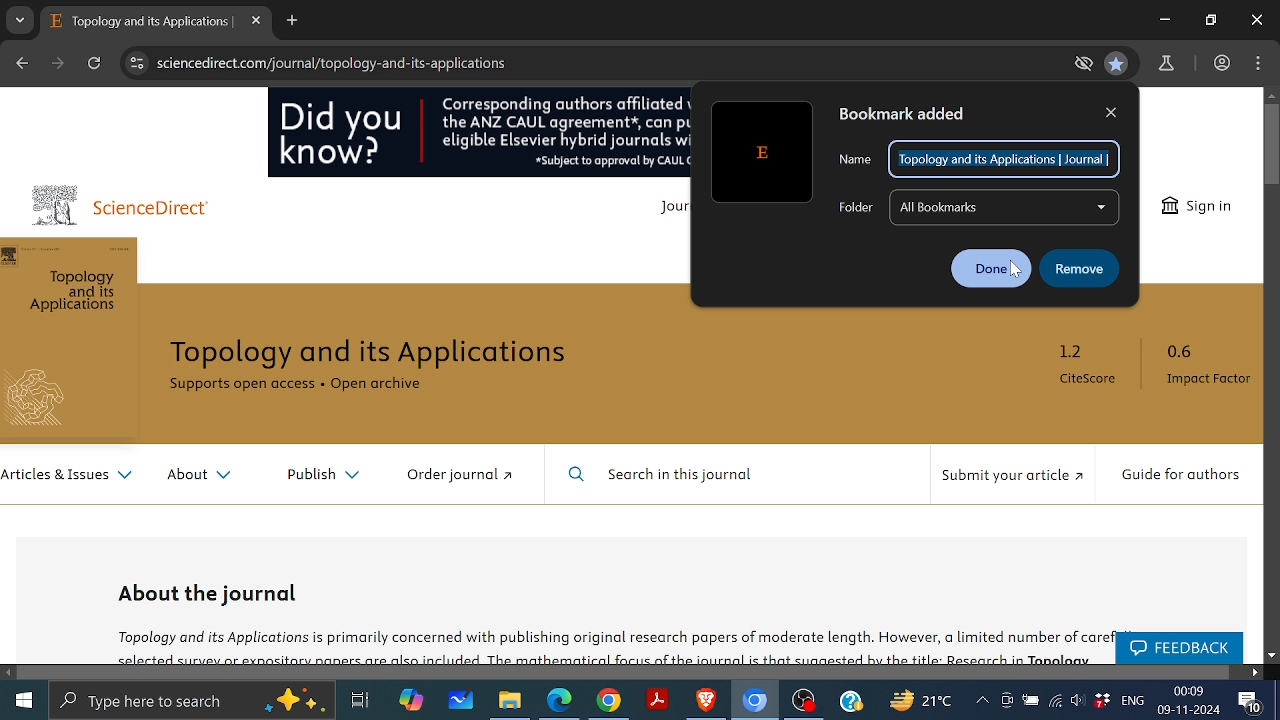 This screenshot has height=720, width=1280. Describe the element at coordinates (21, 700) in the screenshot. I see `start` at that location.